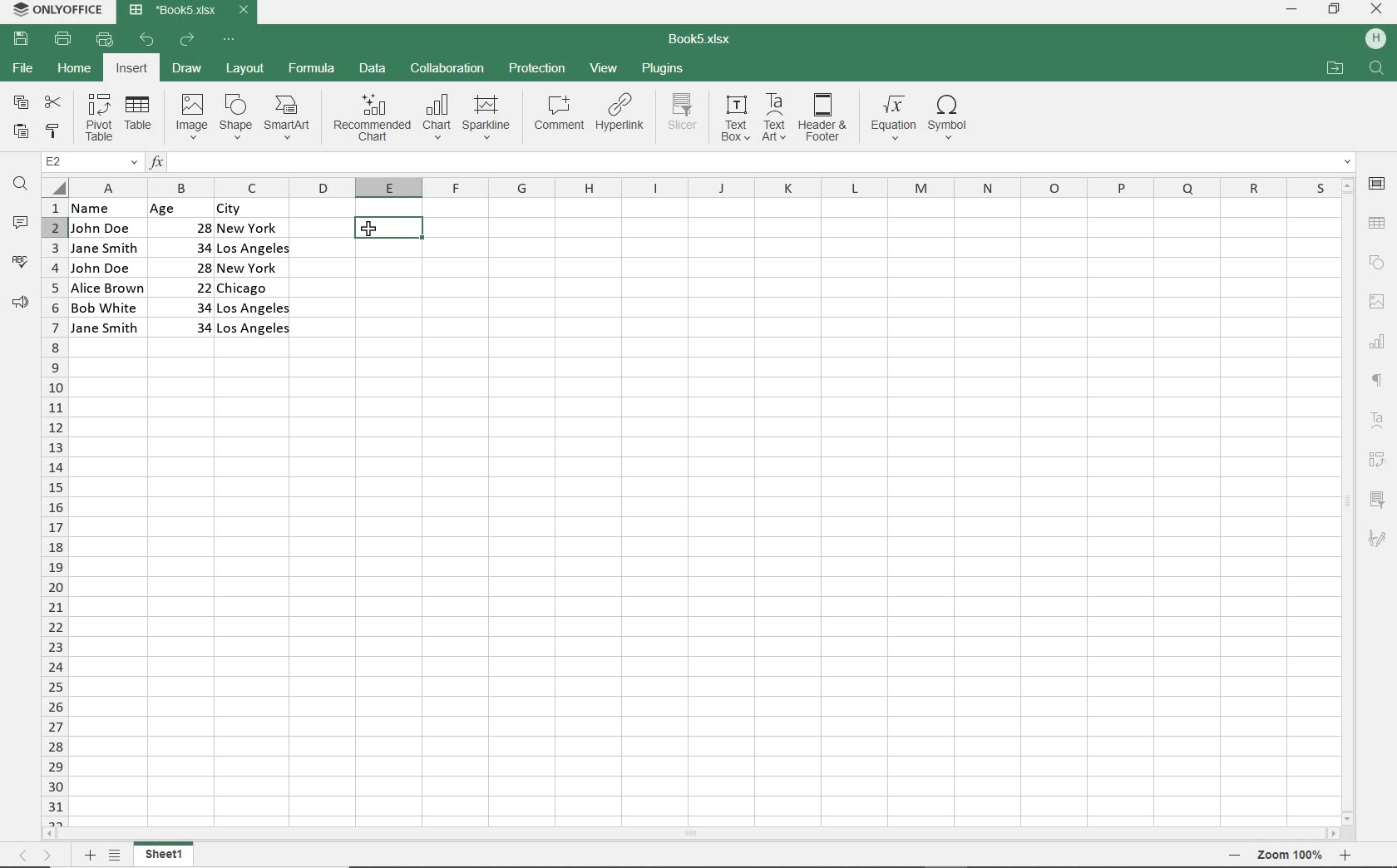 The width and height of the screenshot is (1397, 868). Describe the element at coordinates (20, 224) in the screenshot. I see `COMMENTS` at that location.